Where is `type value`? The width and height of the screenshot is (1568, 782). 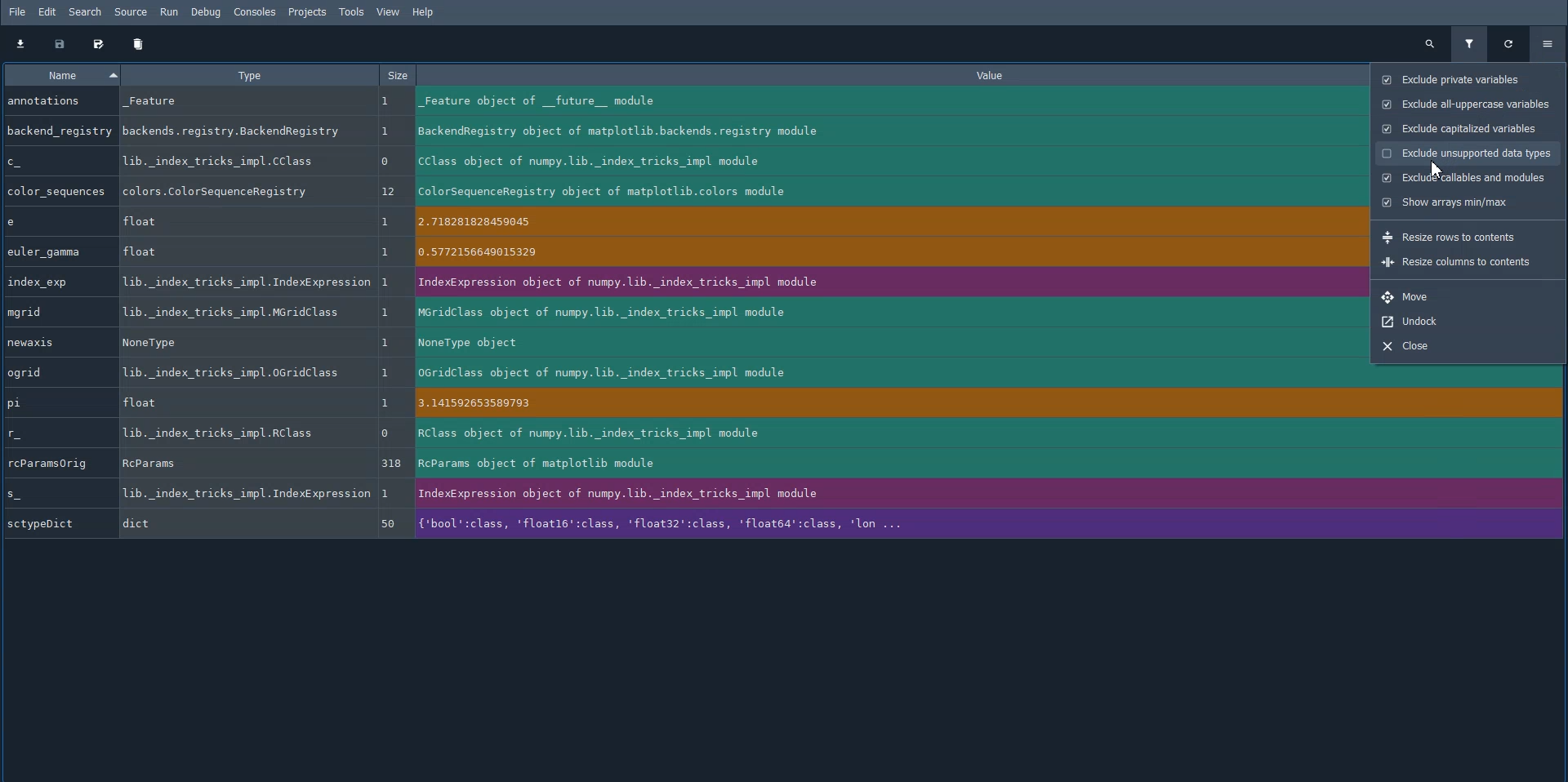 type value is located at coordinates (230, 192).